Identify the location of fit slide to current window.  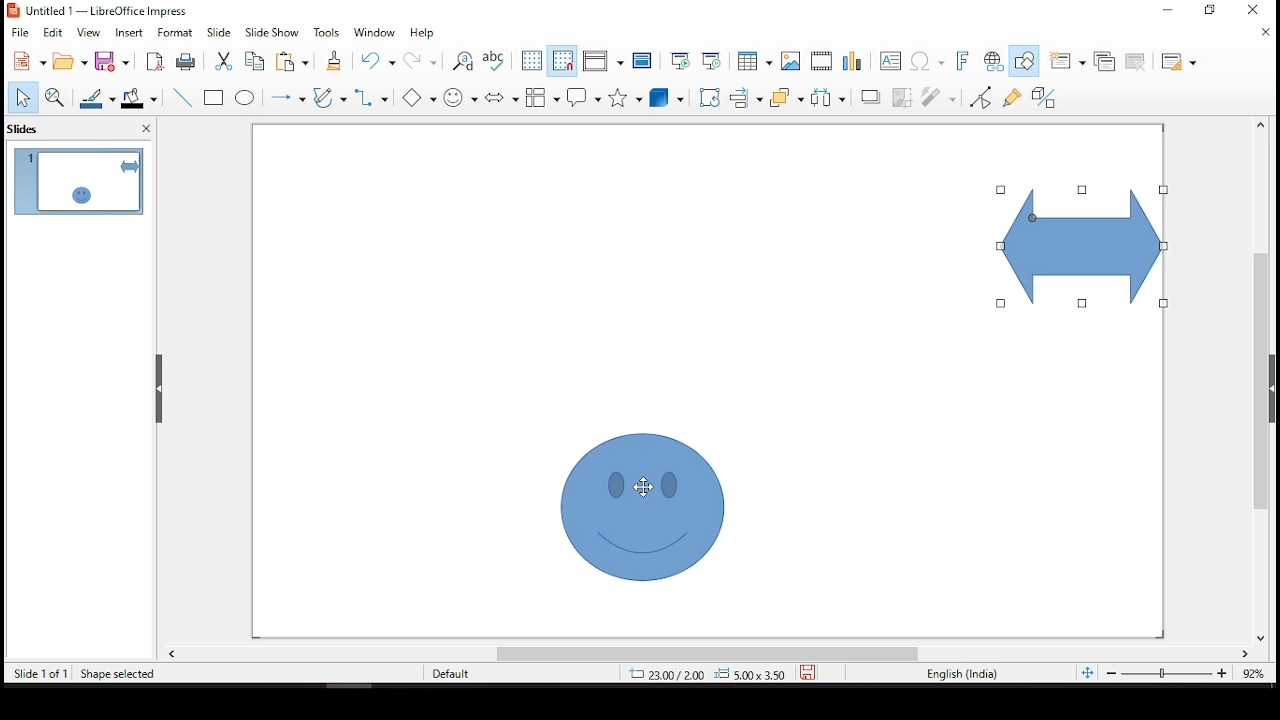
(1085, 672).